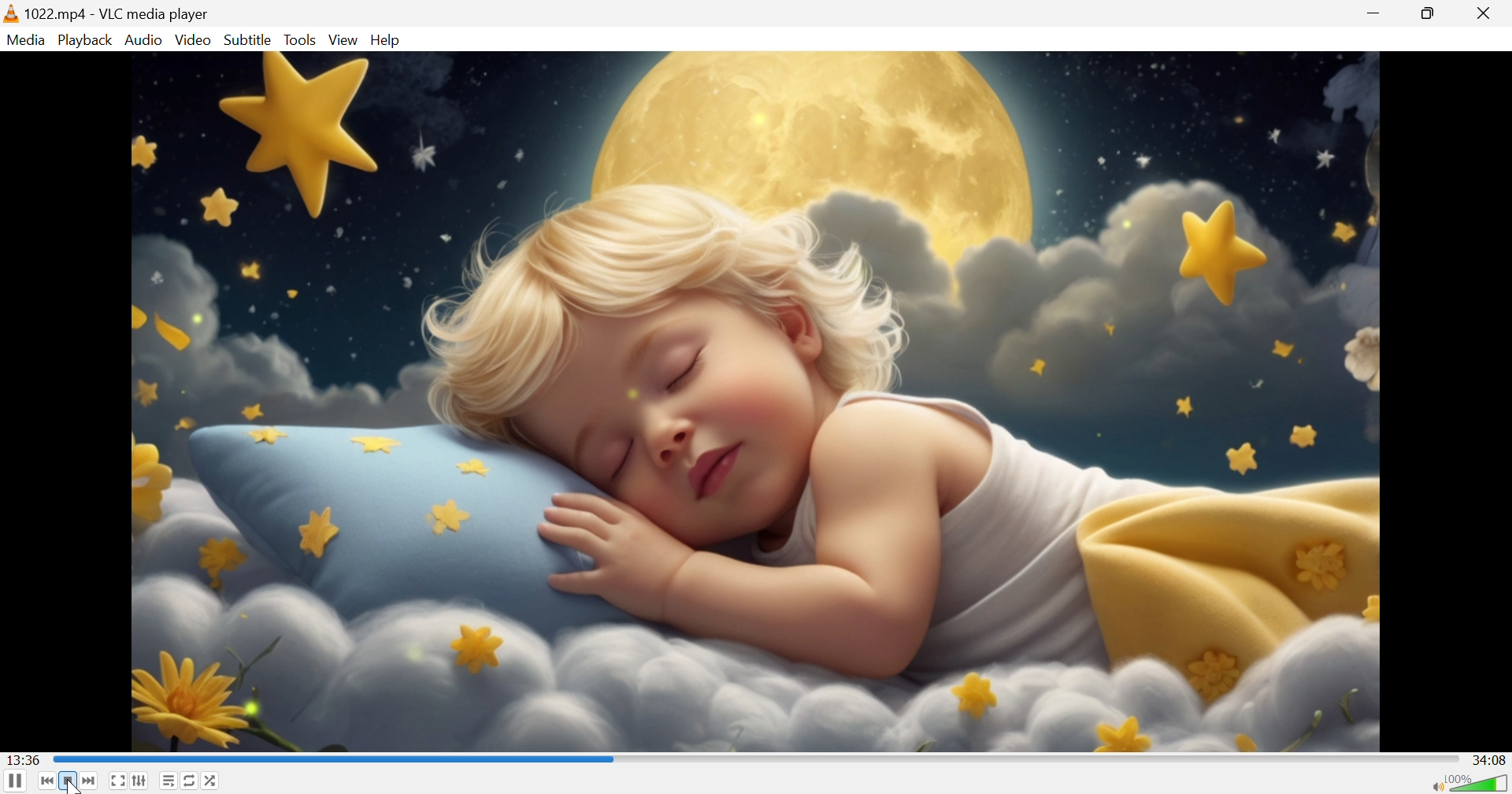 This screenshot has width=1512, height=794. I want to click on Pause the playback, so click(15, 781).